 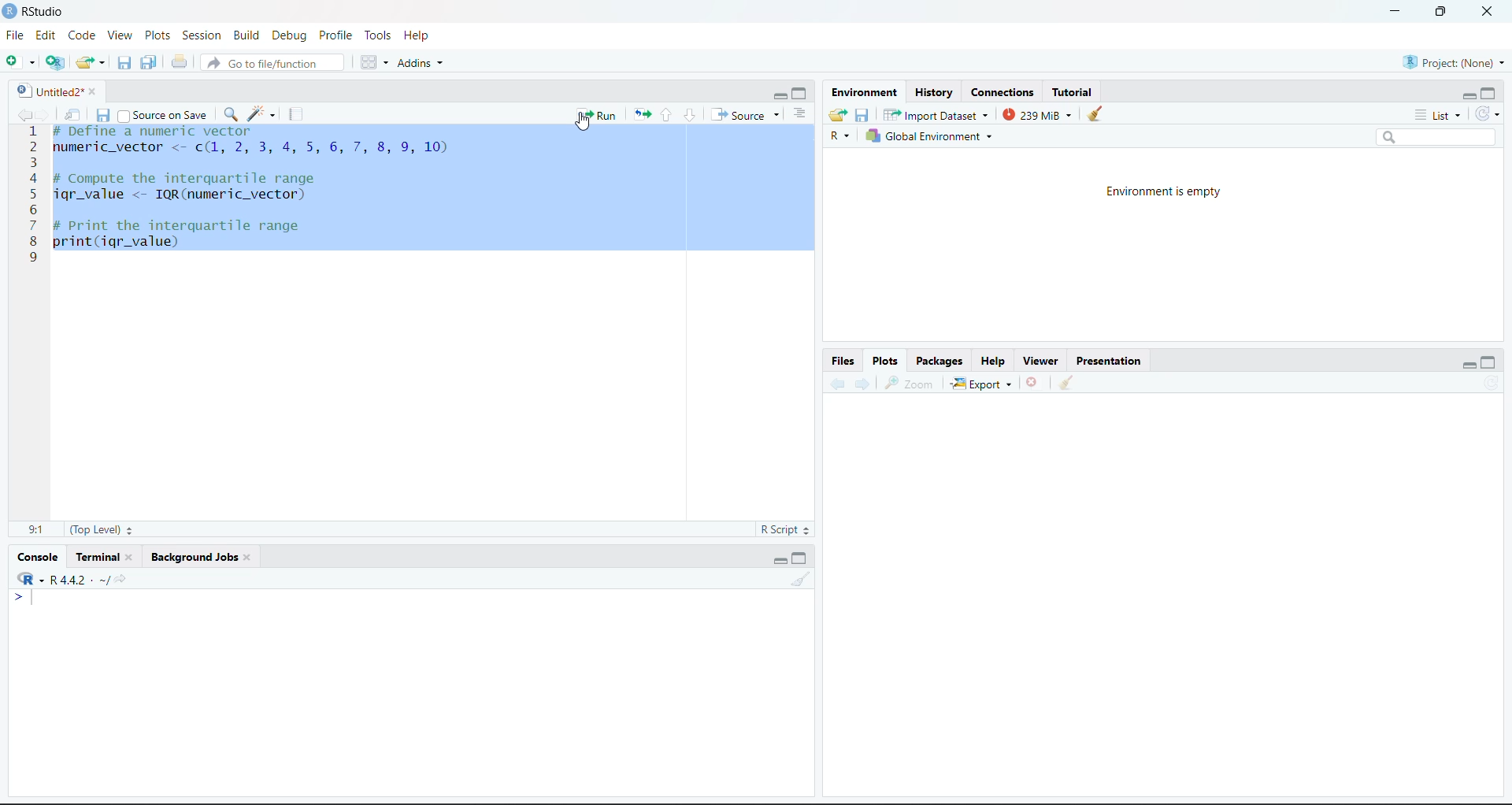 I want to click on Source on Save, so click(x=165, y=114).